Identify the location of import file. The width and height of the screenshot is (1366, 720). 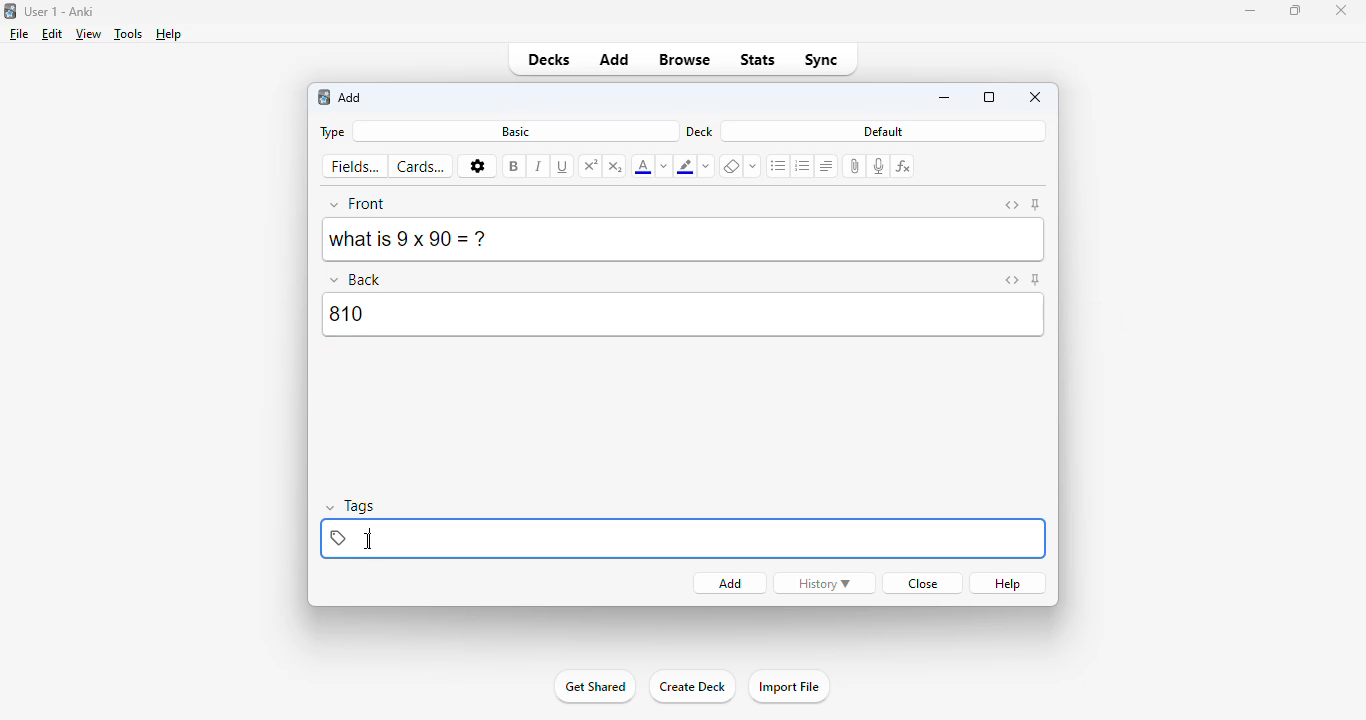
(788, 687).